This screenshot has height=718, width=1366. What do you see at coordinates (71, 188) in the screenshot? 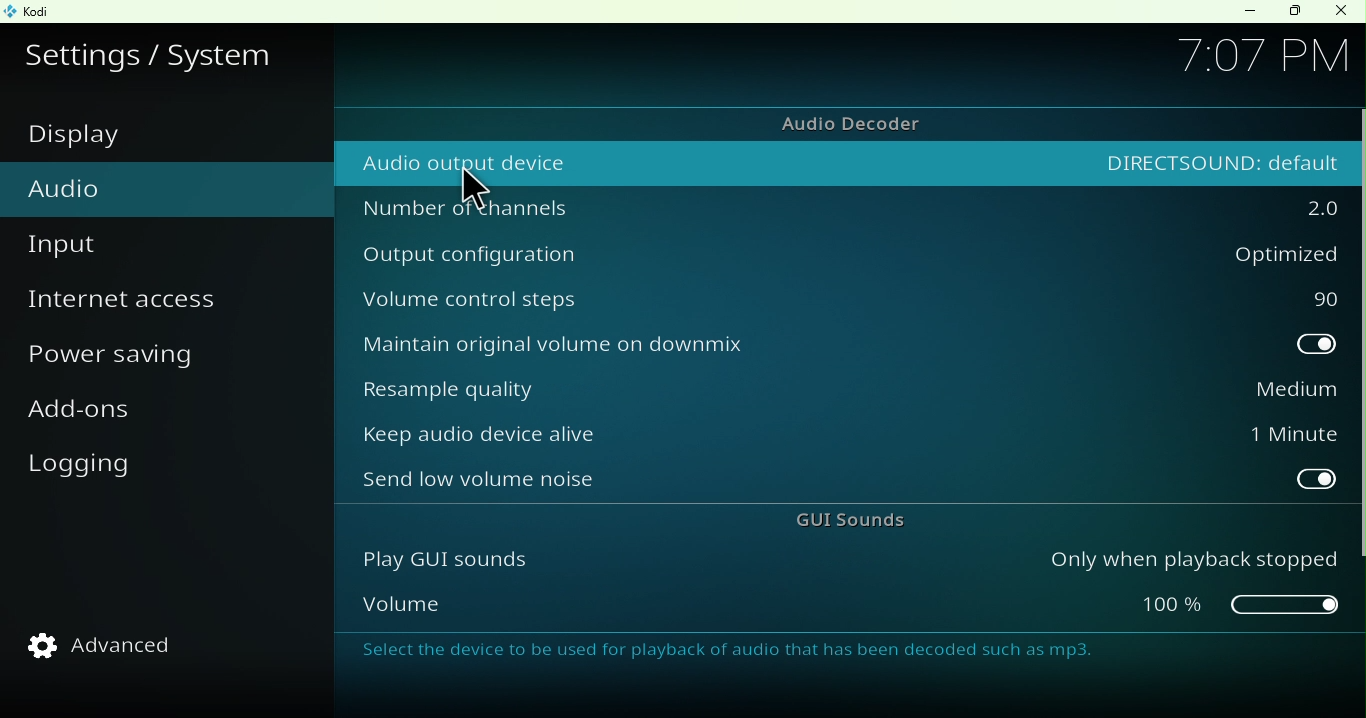
I see `Audio` at bounding box center [71, 188].